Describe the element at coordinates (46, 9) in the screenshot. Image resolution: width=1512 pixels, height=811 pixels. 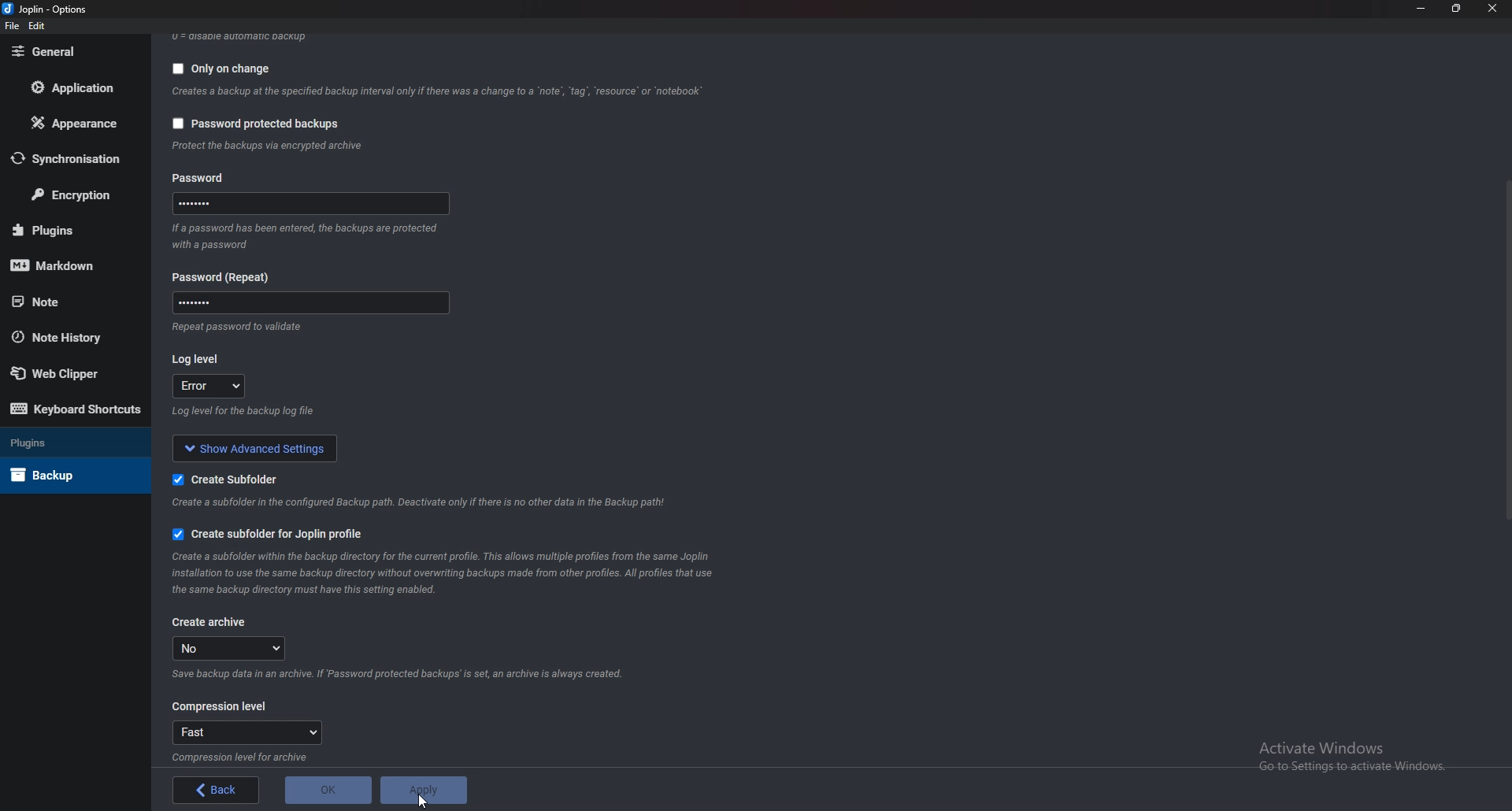
I see `Joplin` at that location.